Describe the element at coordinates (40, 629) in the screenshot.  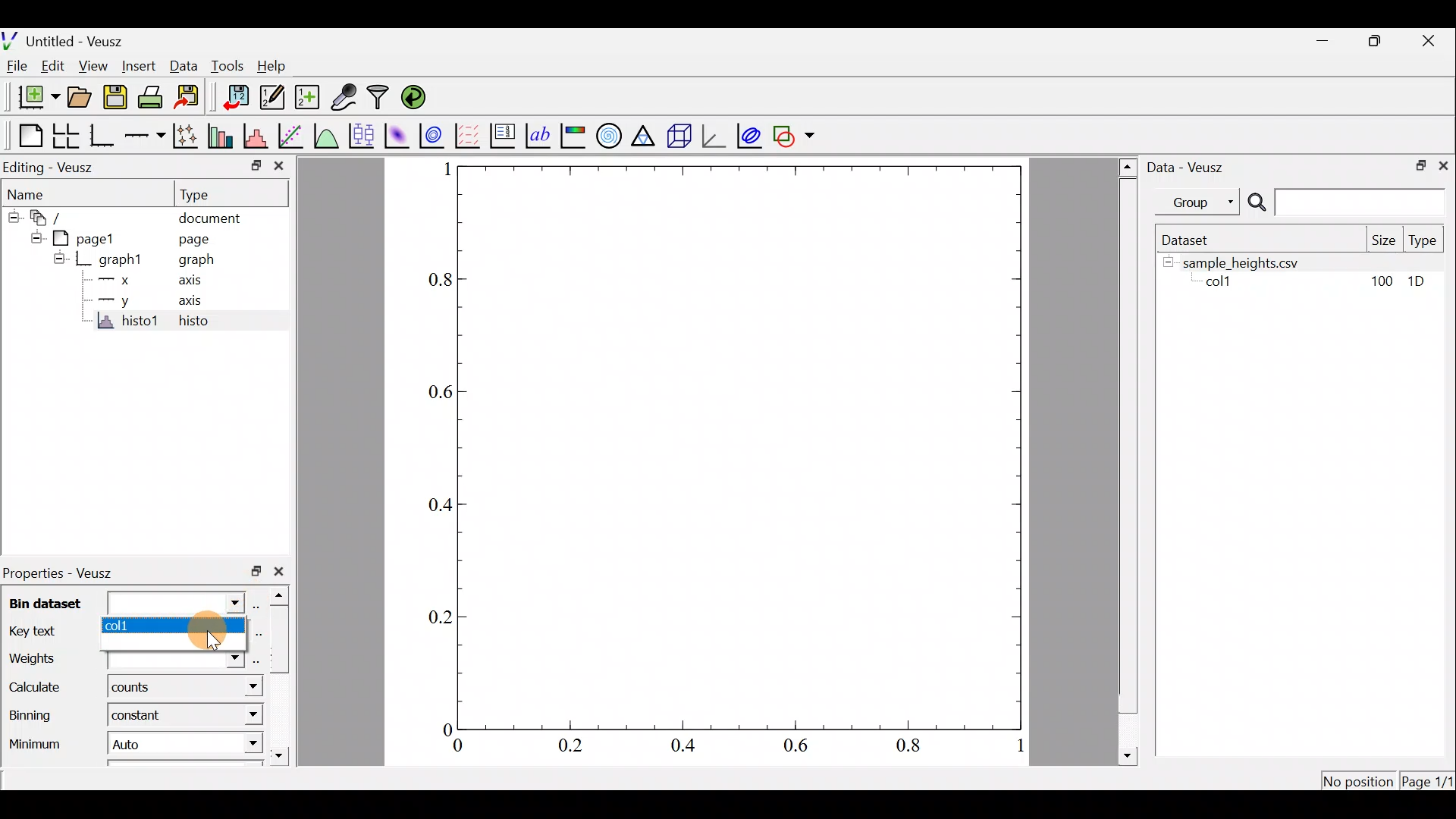
I see `Key text` at that location.